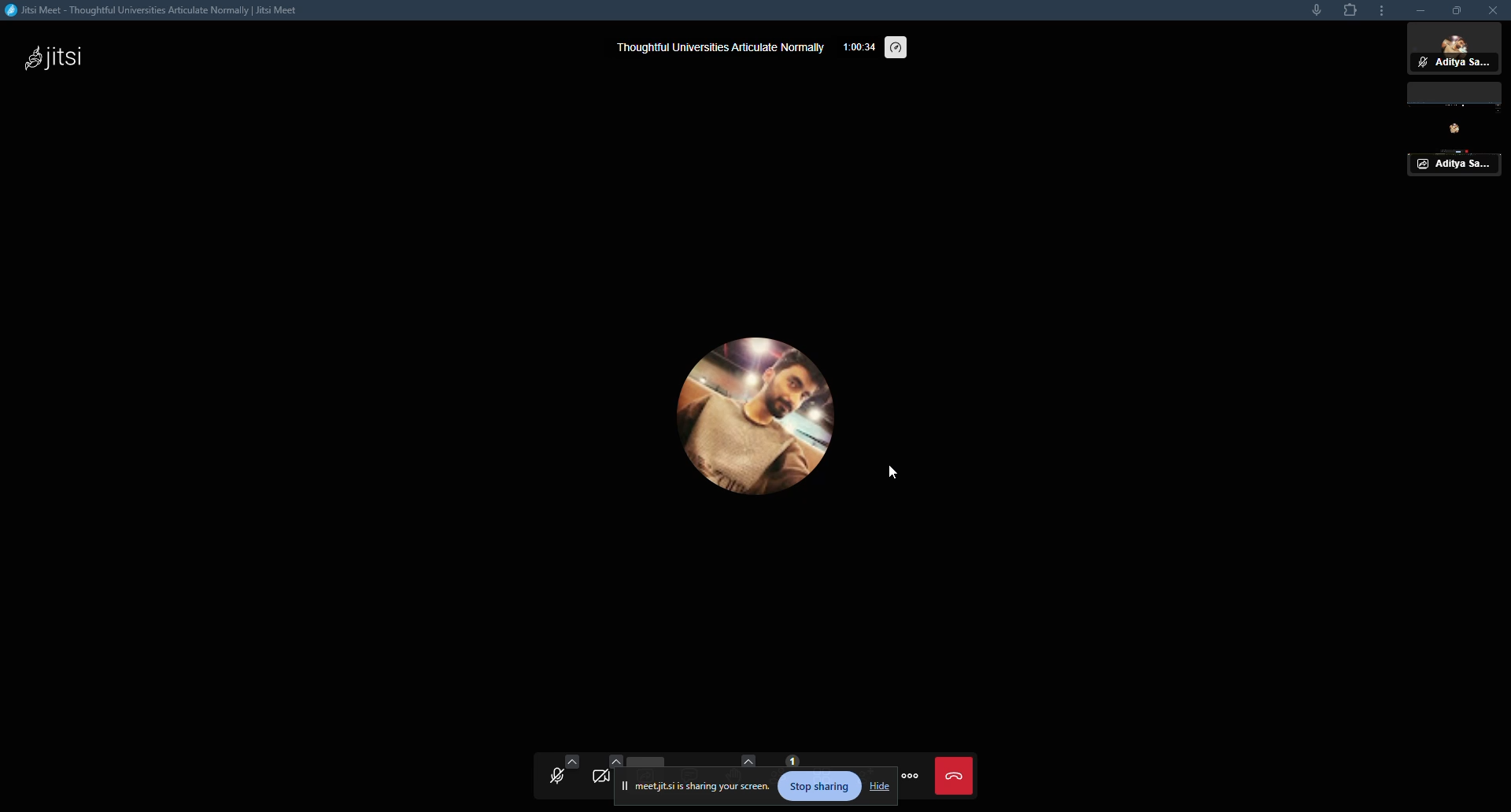  What do you see at coordinates (857, 46) in the screenshot?
I see `1:00:23` at bounding box center [857, 46].